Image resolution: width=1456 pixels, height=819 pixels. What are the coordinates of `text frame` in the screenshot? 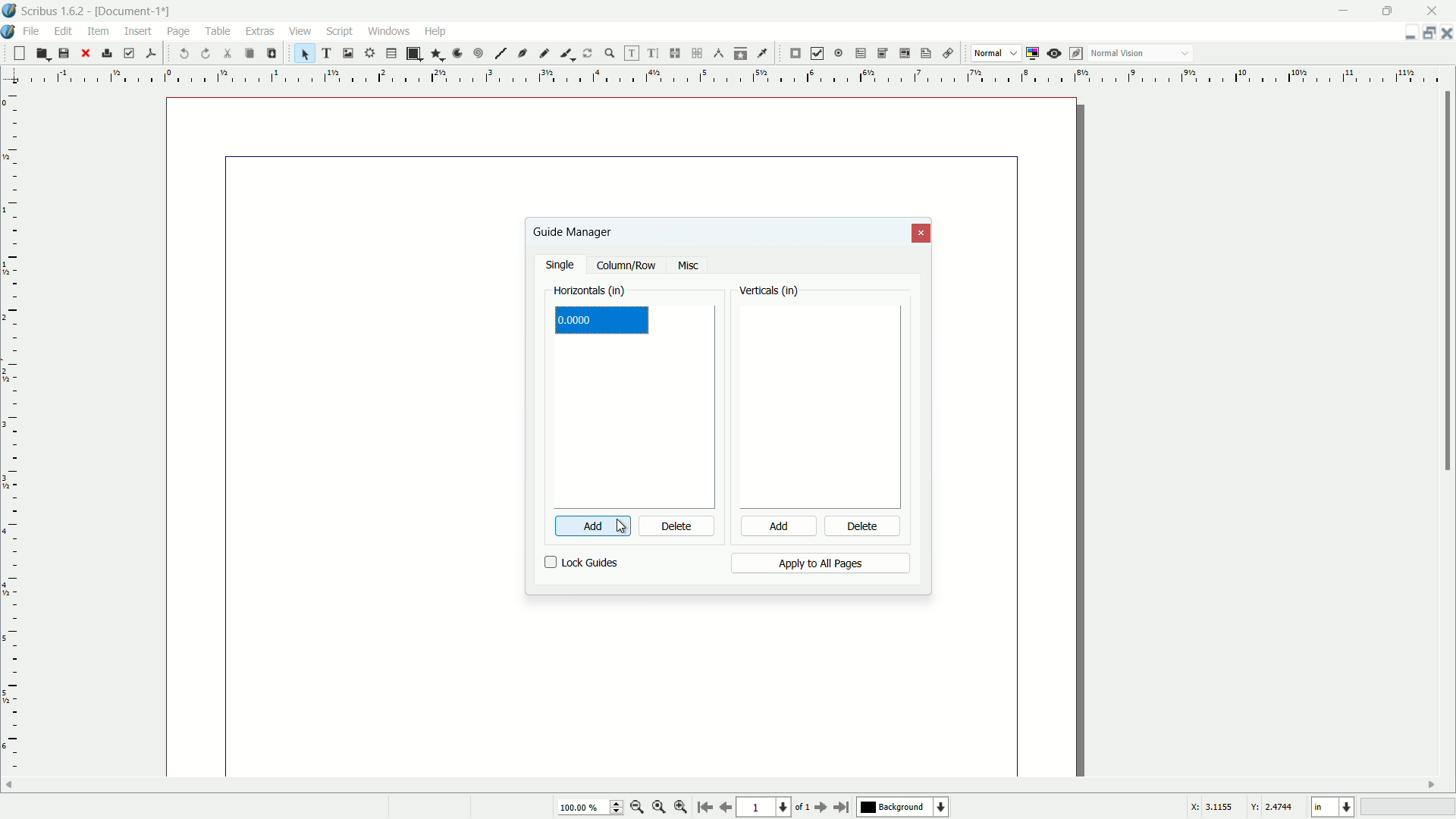 It's located at (328, 53).